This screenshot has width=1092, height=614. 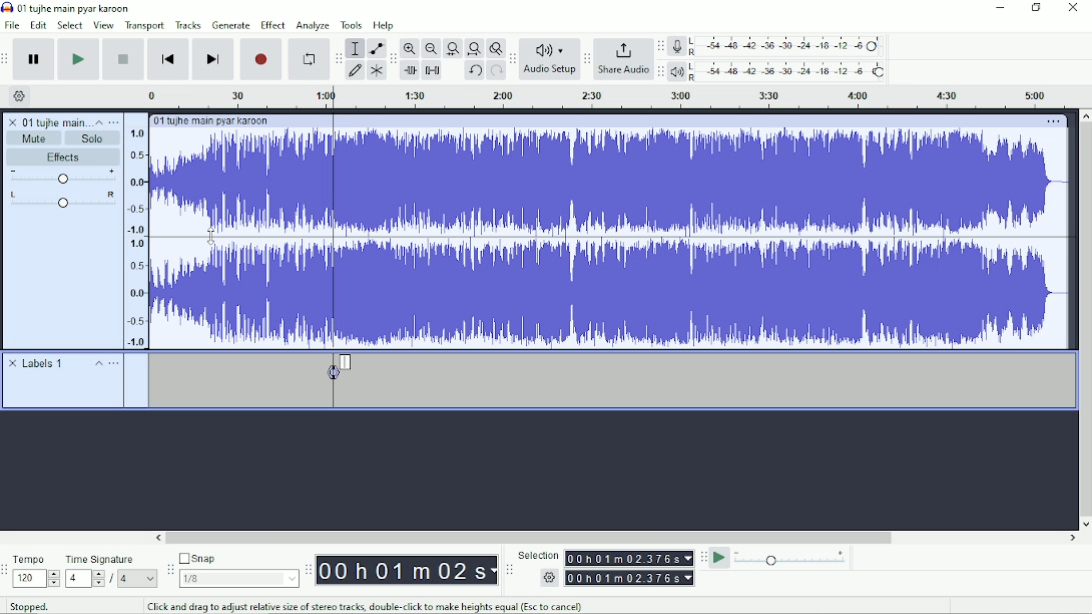 What do you see at coordinates (779, 71) in the screenshot?
I see `Playback meter` at bounding box center [779, 71].